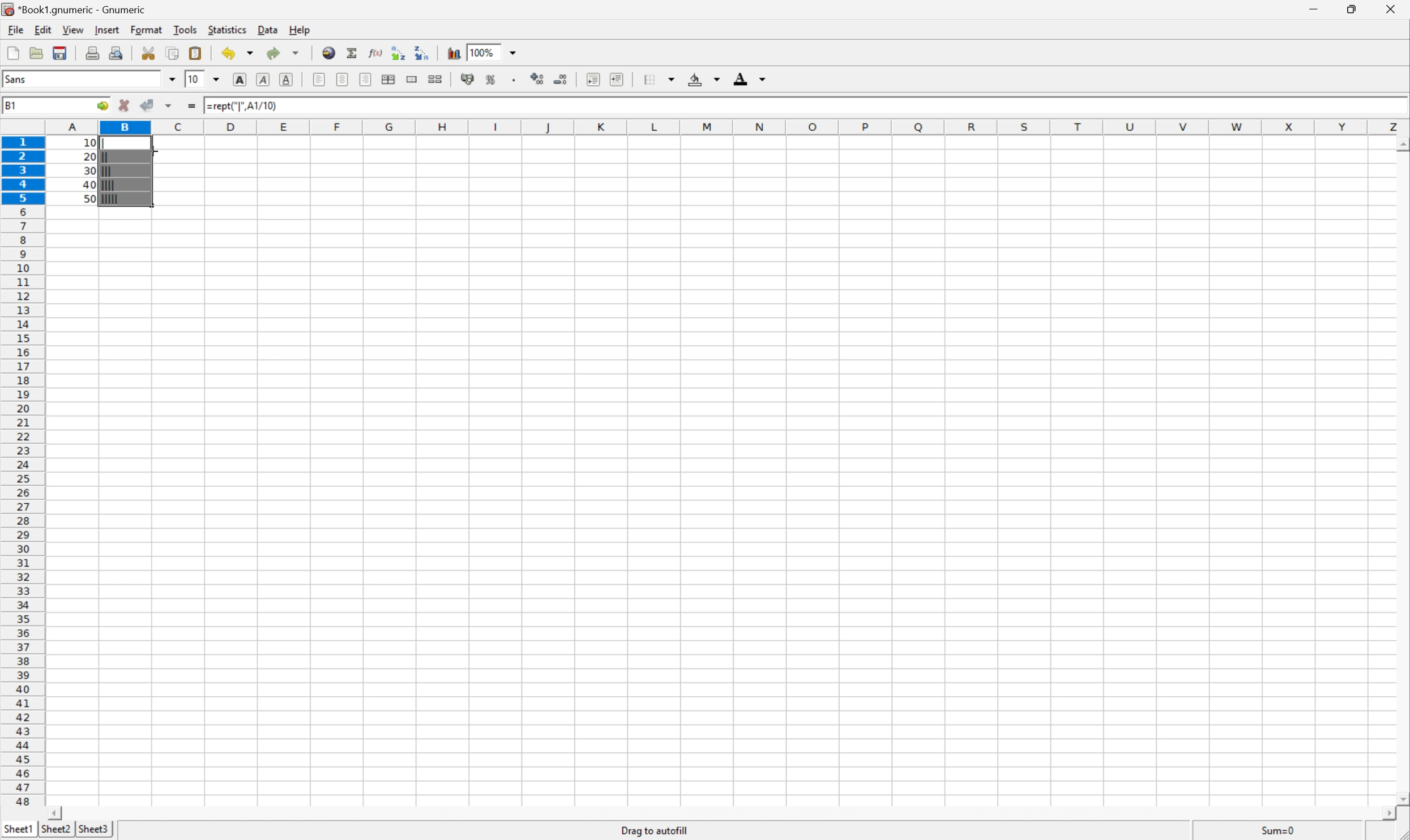  What do you see at coordinates (72, 29) in the screenshot?
I see `View` at bounding box center [72, 29].